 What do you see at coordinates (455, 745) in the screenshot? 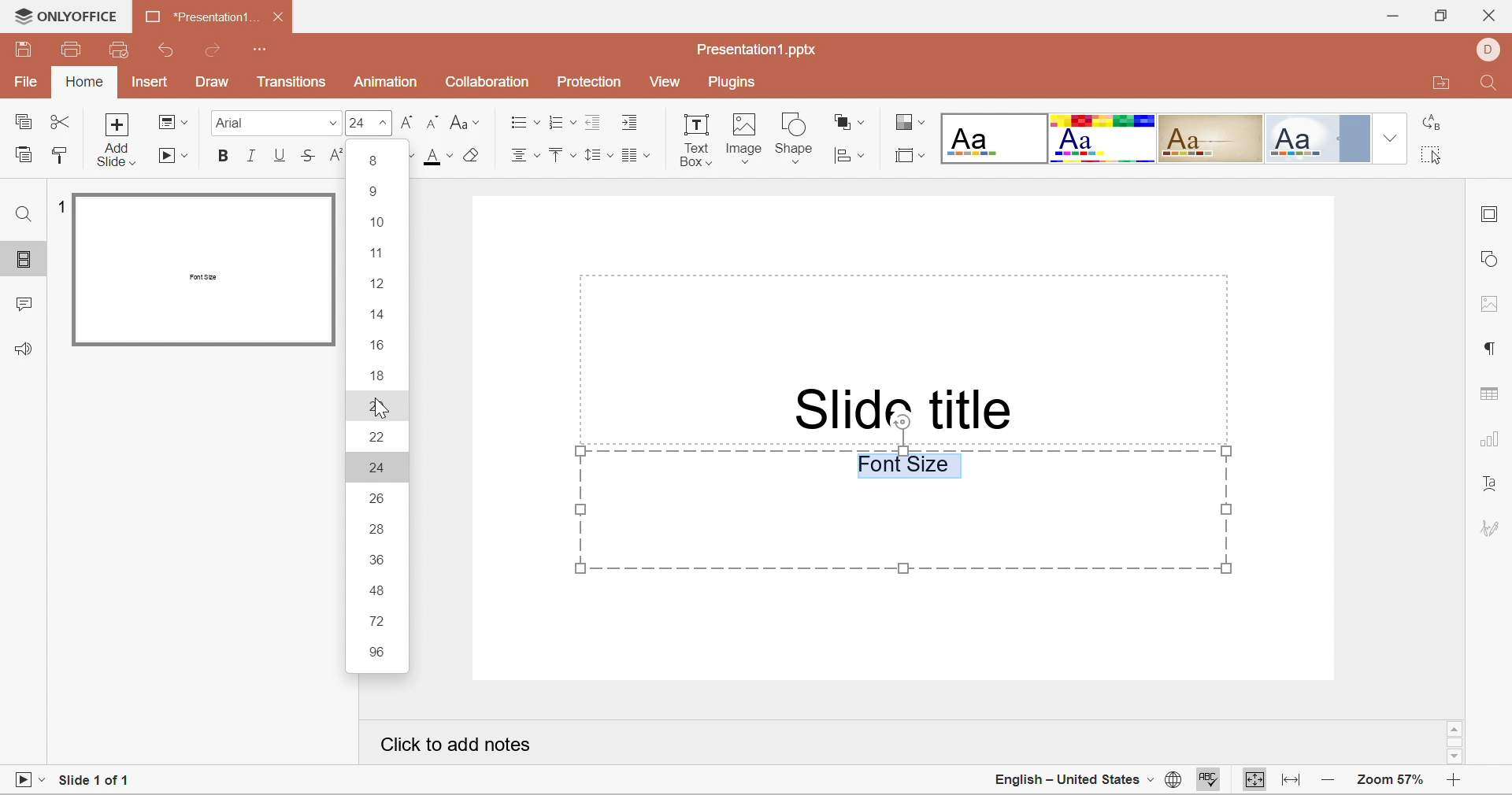
I see `Click to add notes` at bounding box center [455, 745].